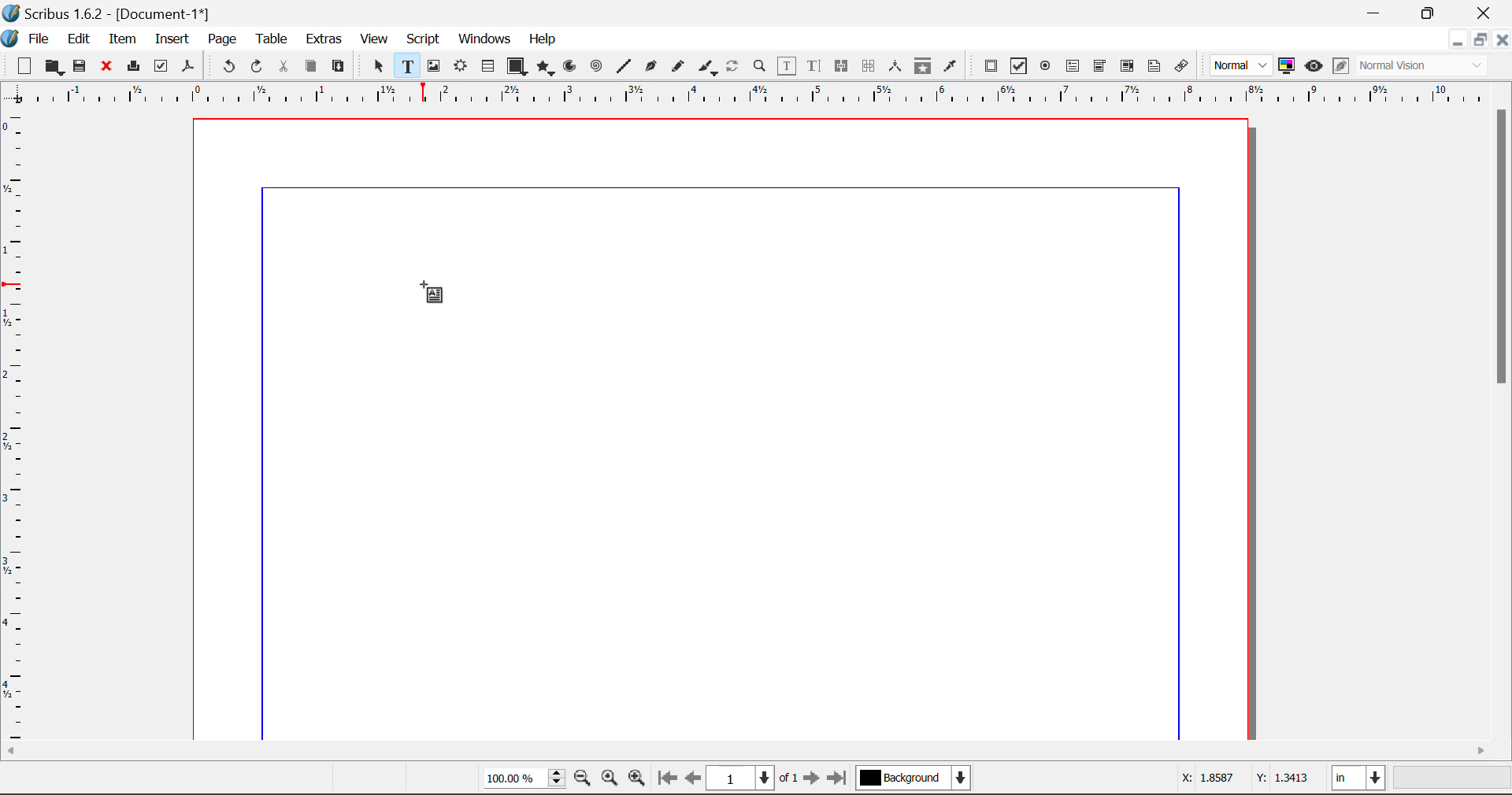  Describe the element at coordinates (487, 66) in the screenshot. I see `Tables` at that location.